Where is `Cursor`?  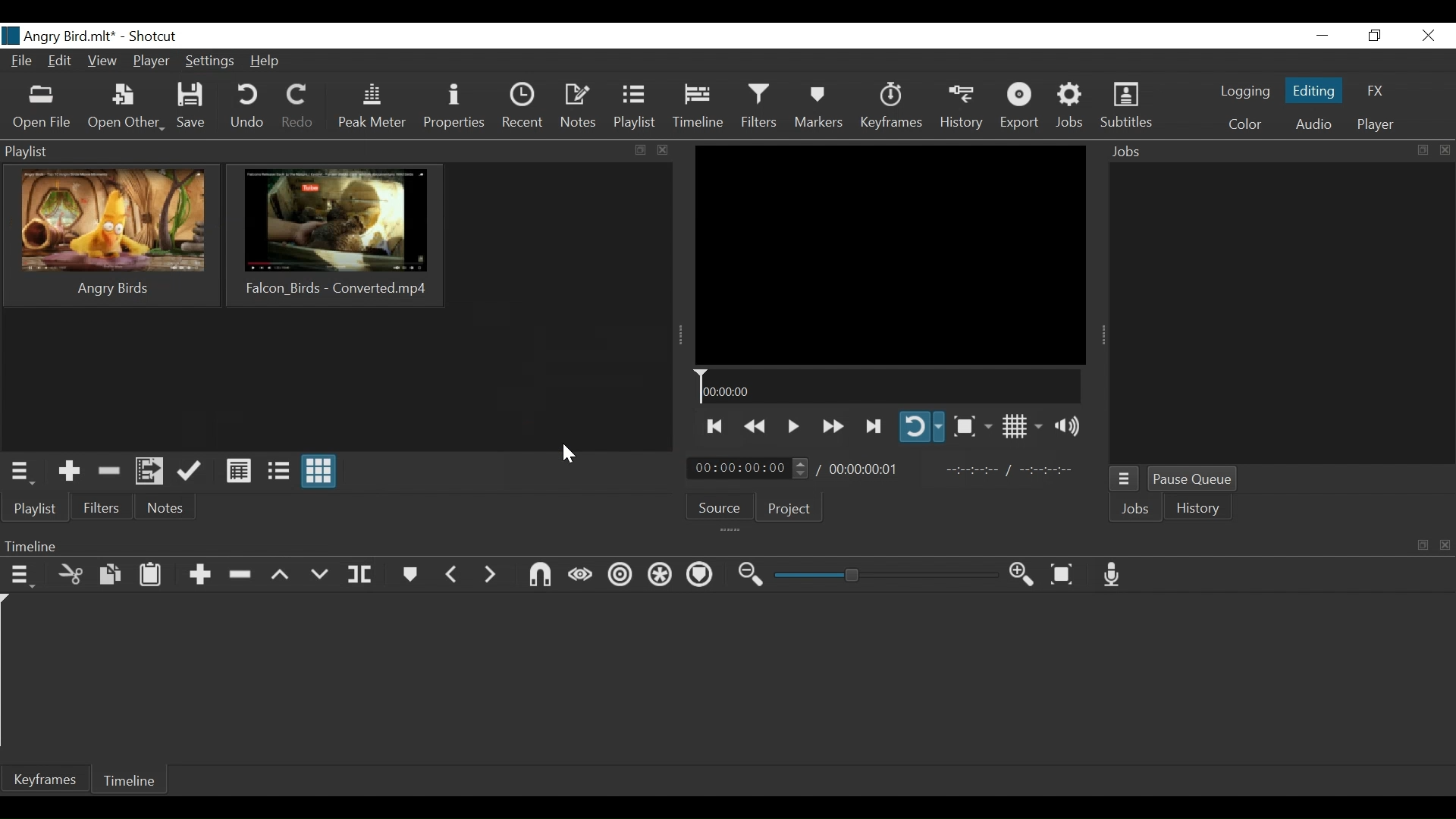
Cursor is located at coordinates (231, 71).